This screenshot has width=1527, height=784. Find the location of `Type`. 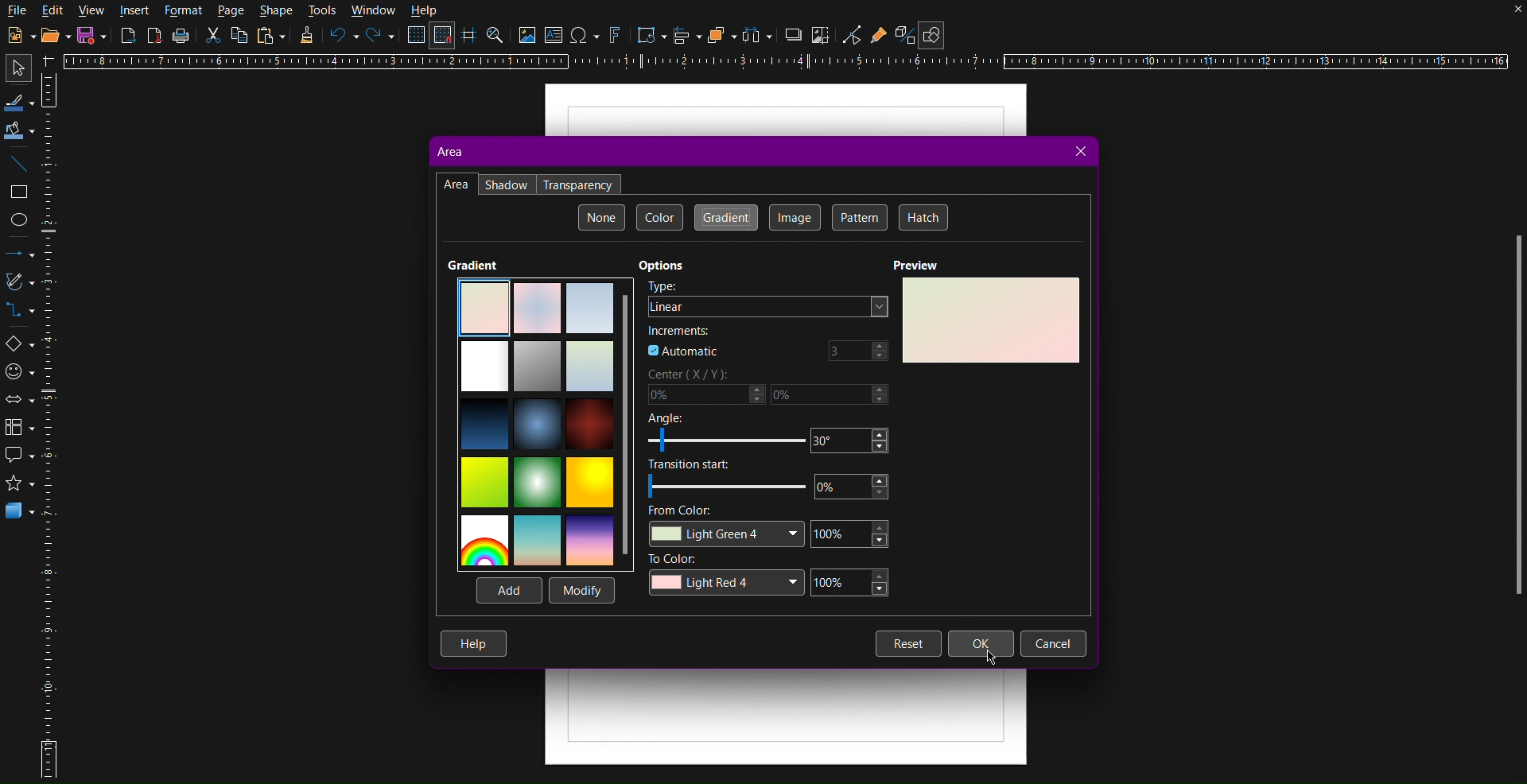

Type is located at coordinates (662, 285).